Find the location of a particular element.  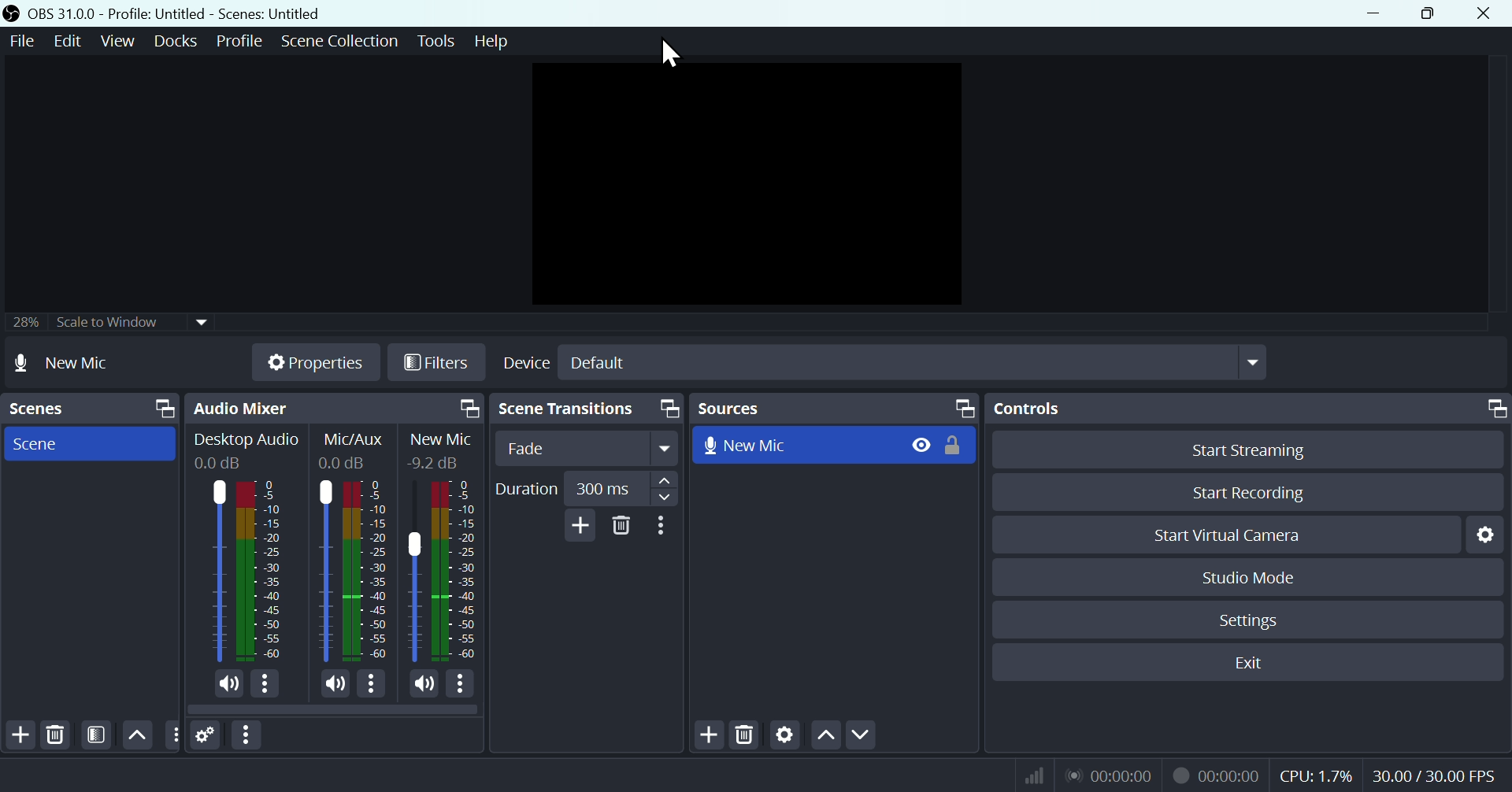

Controls is located at coordinates (1251, 409).